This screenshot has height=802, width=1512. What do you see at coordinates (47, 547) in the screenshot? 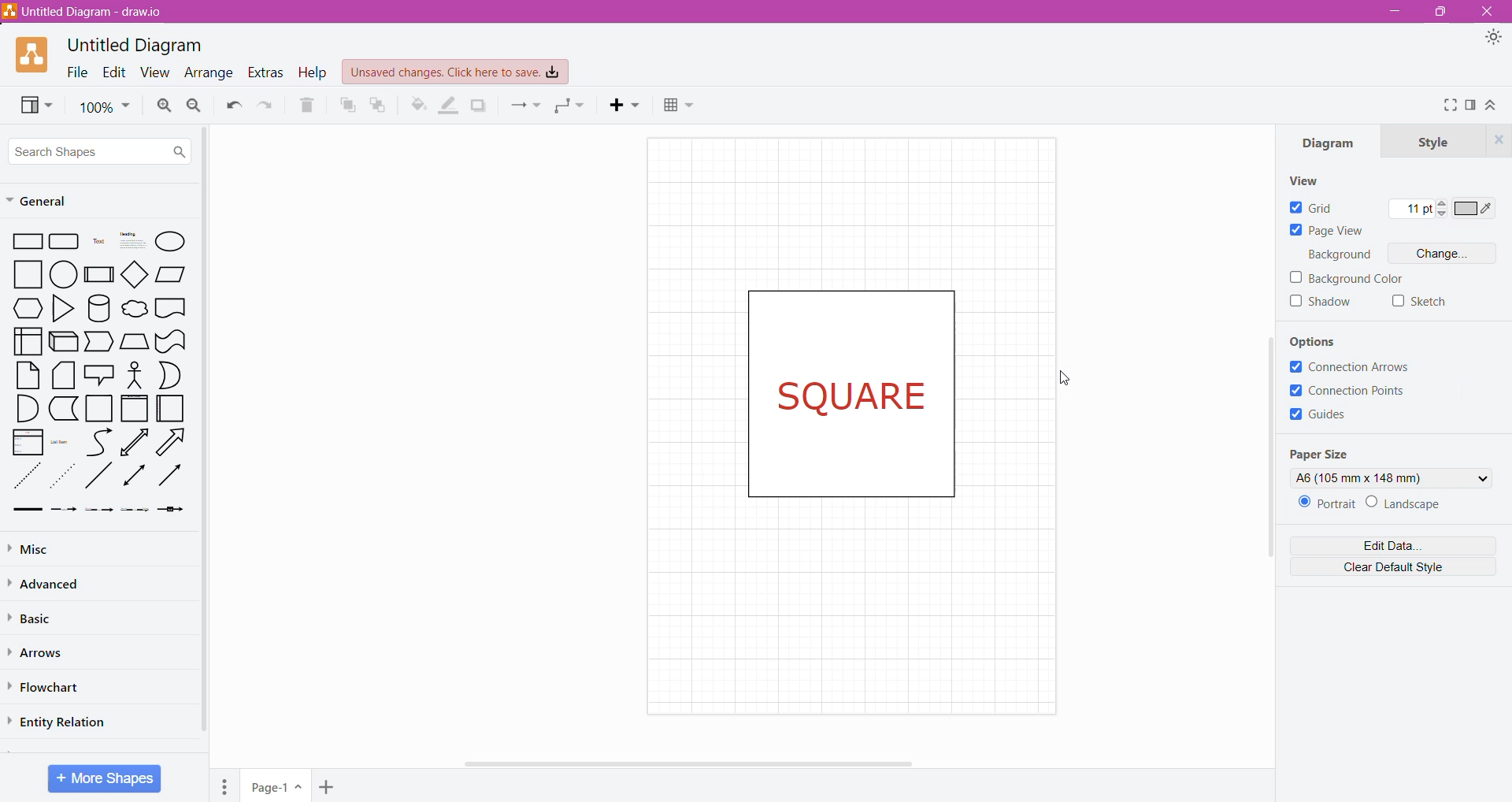
I see `Misc` at bounding box center [47, 547].